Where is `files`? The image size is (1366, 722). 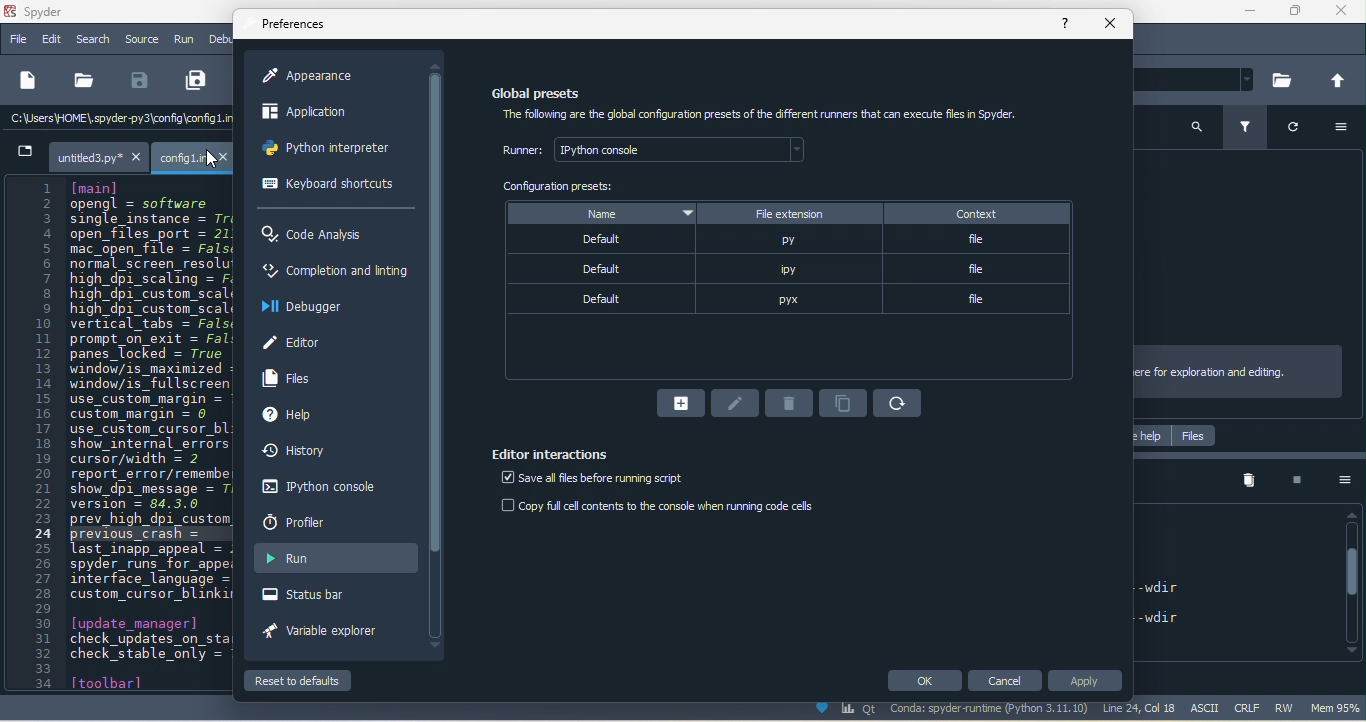
files is located at coordinates (1192, 435).